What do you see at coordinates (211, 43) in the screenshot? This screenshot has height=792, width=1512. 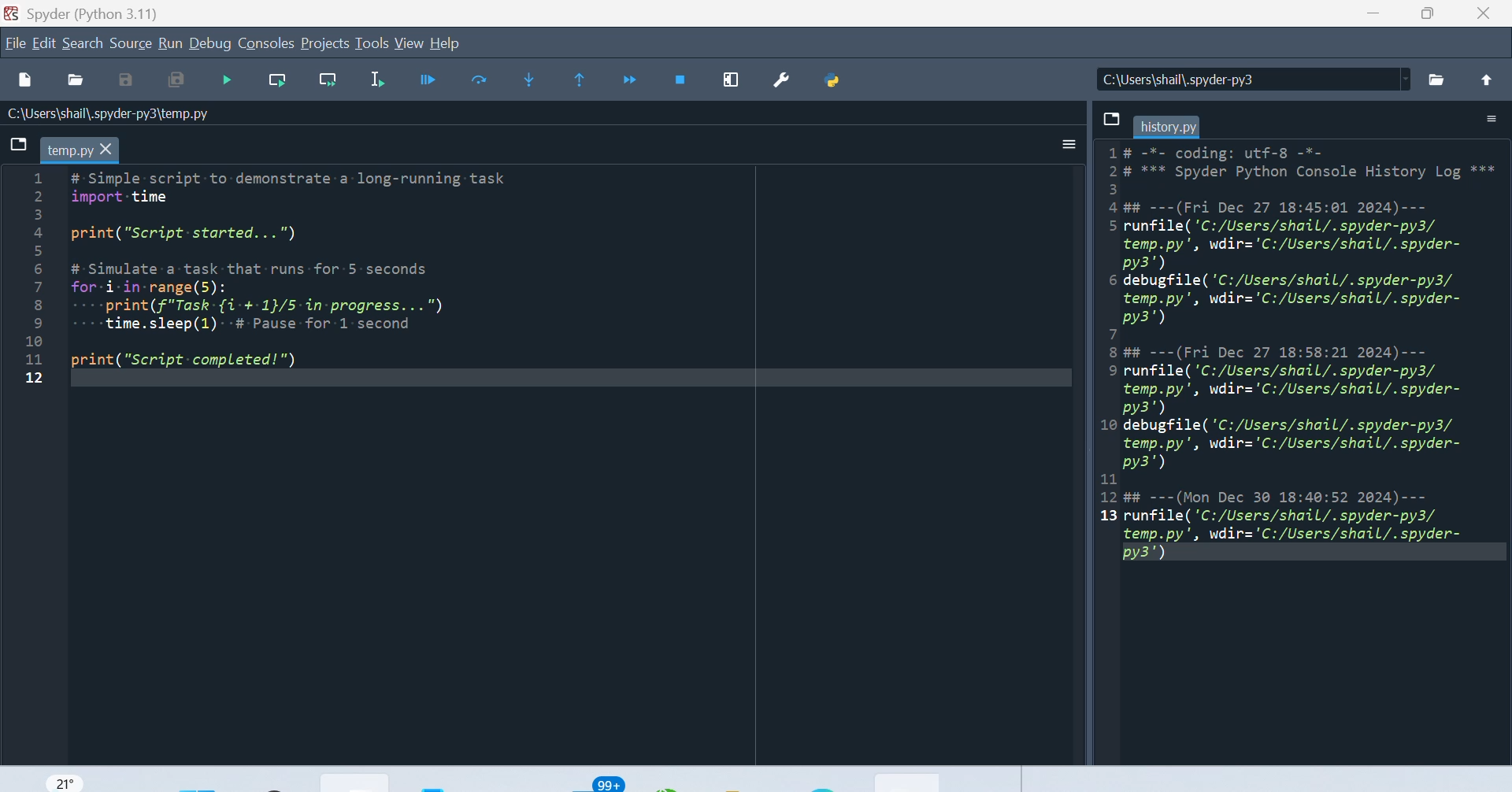 I see `Debug` at bounding box center [211, 43].